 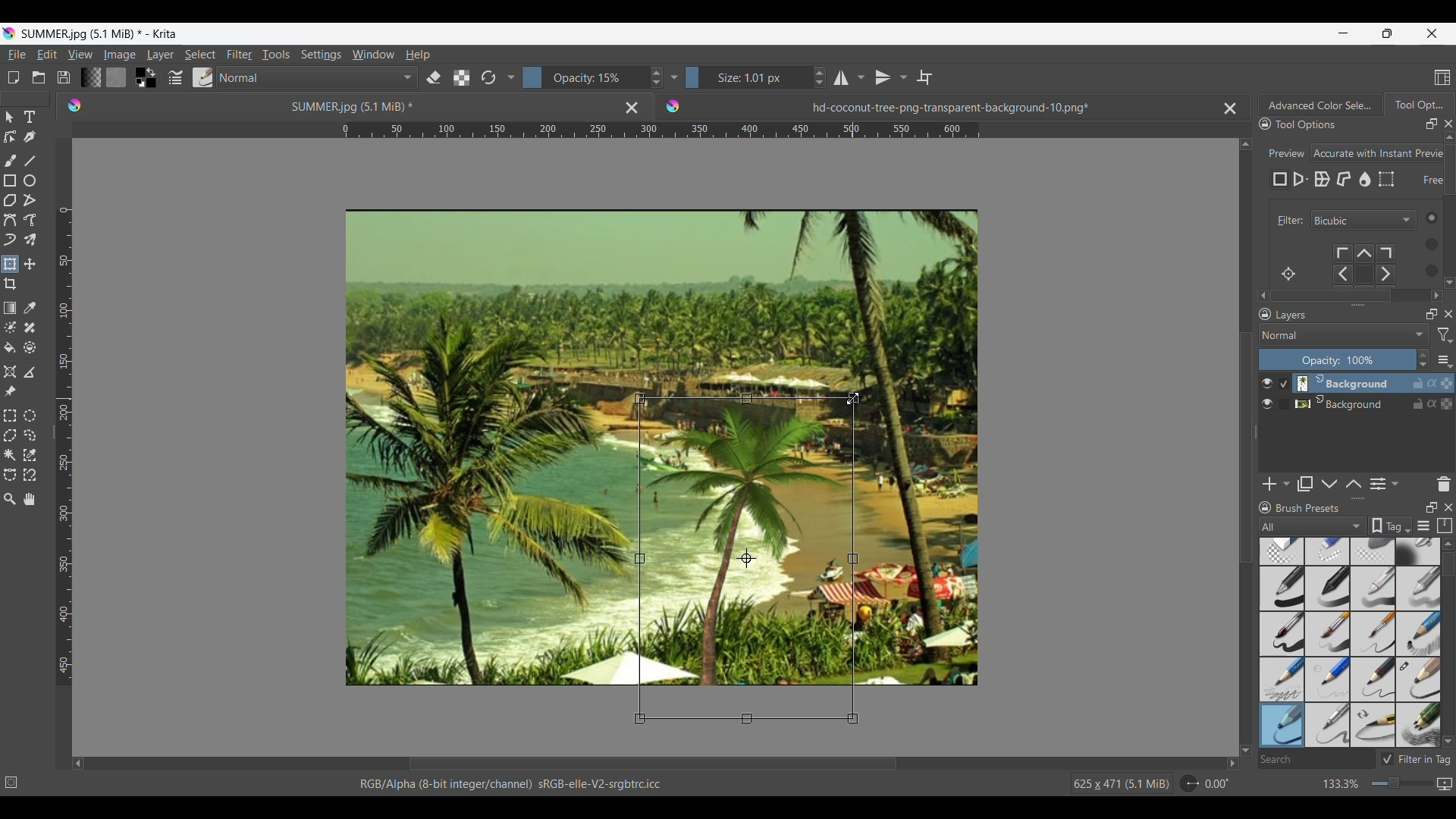 What do you see at coordinates (1287, 221) in the screenshot?
I see `Filter` at bounding box center [1287, 221].